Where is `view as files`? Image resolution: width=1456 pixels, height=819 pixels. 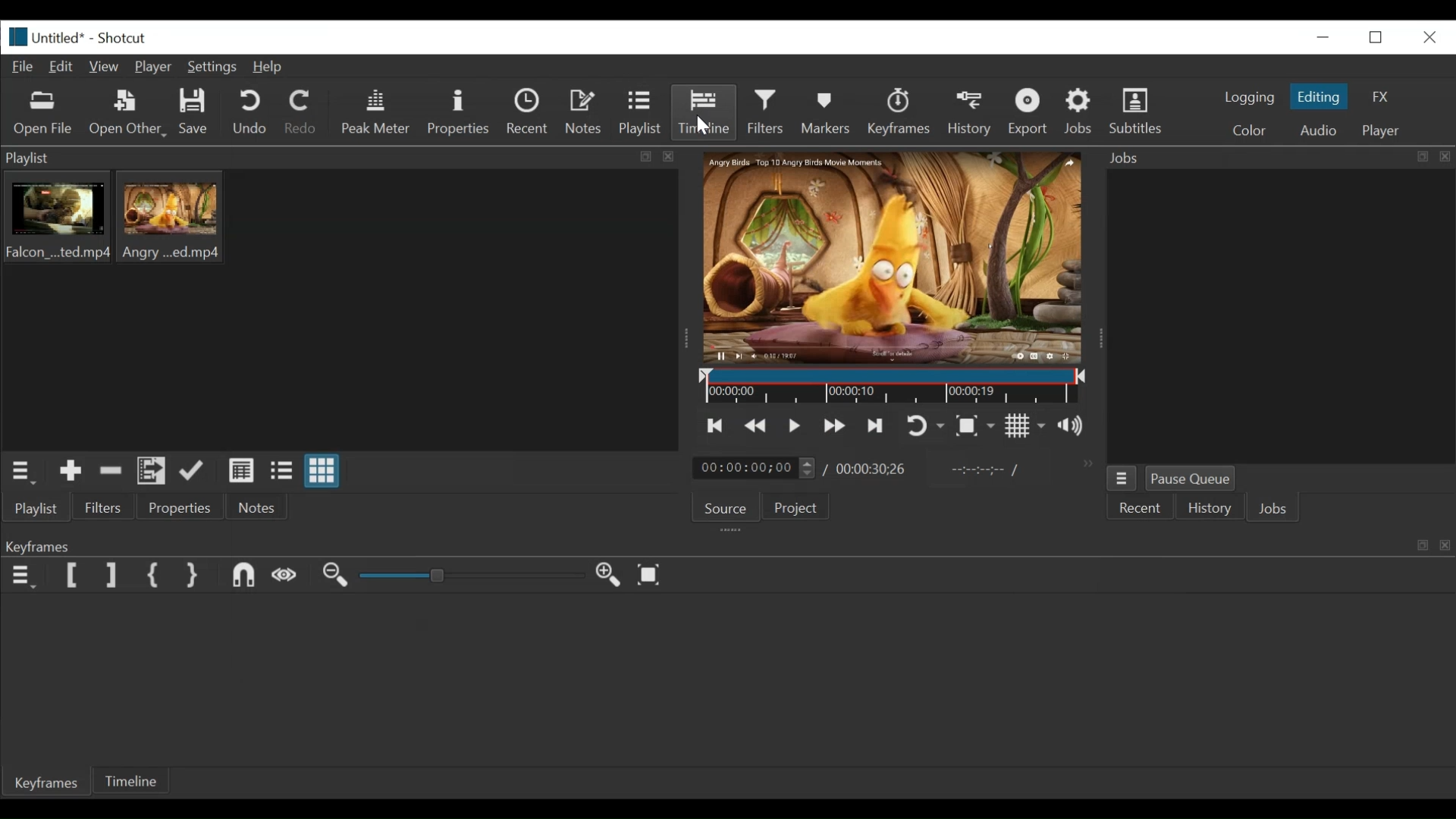
view as files is located at coordinates (283, 470).